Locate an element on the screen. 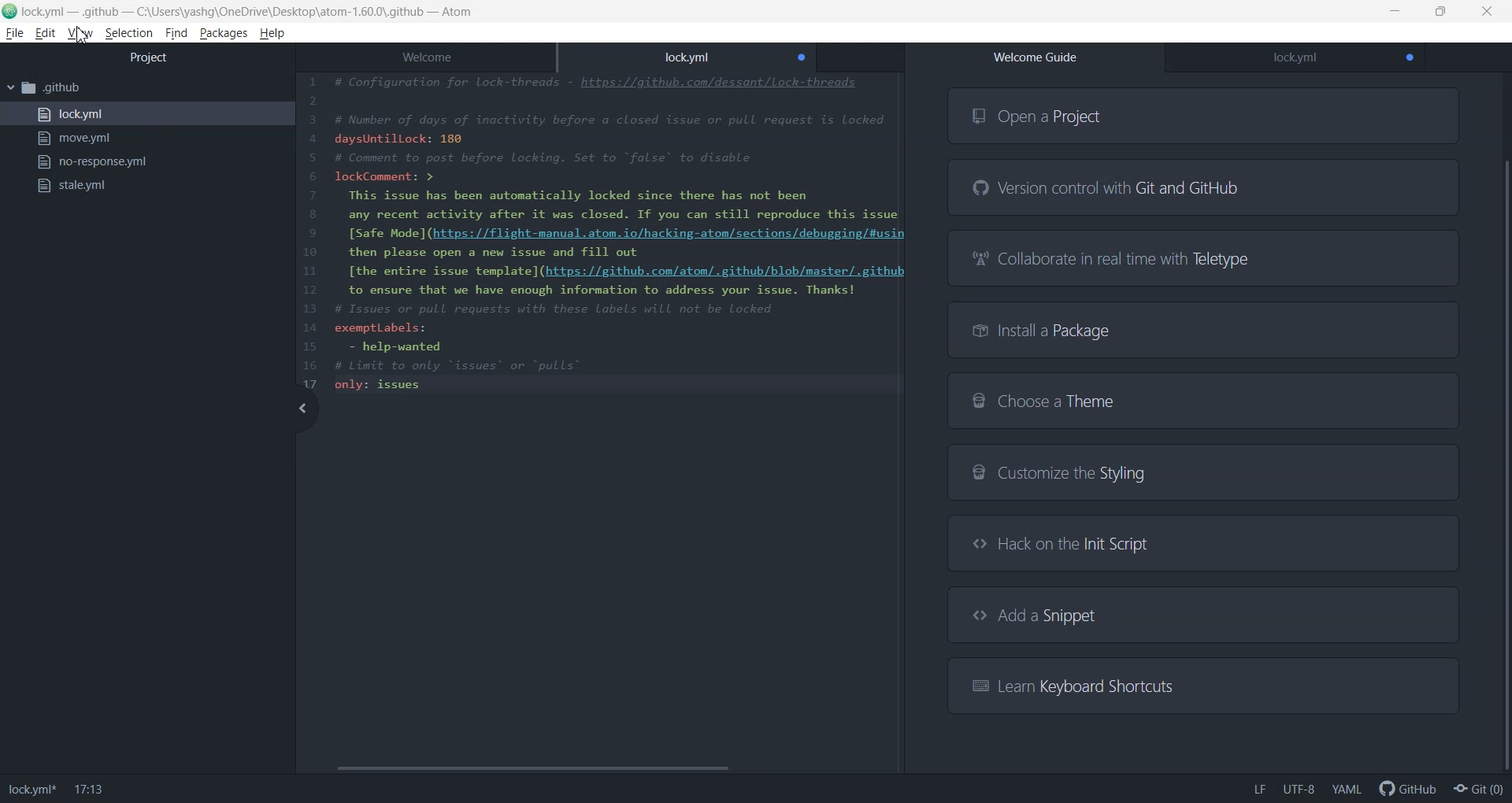 The image size is (1512, 803). Collaborate in real time with Teletype is located at coordinates (1205, 257).